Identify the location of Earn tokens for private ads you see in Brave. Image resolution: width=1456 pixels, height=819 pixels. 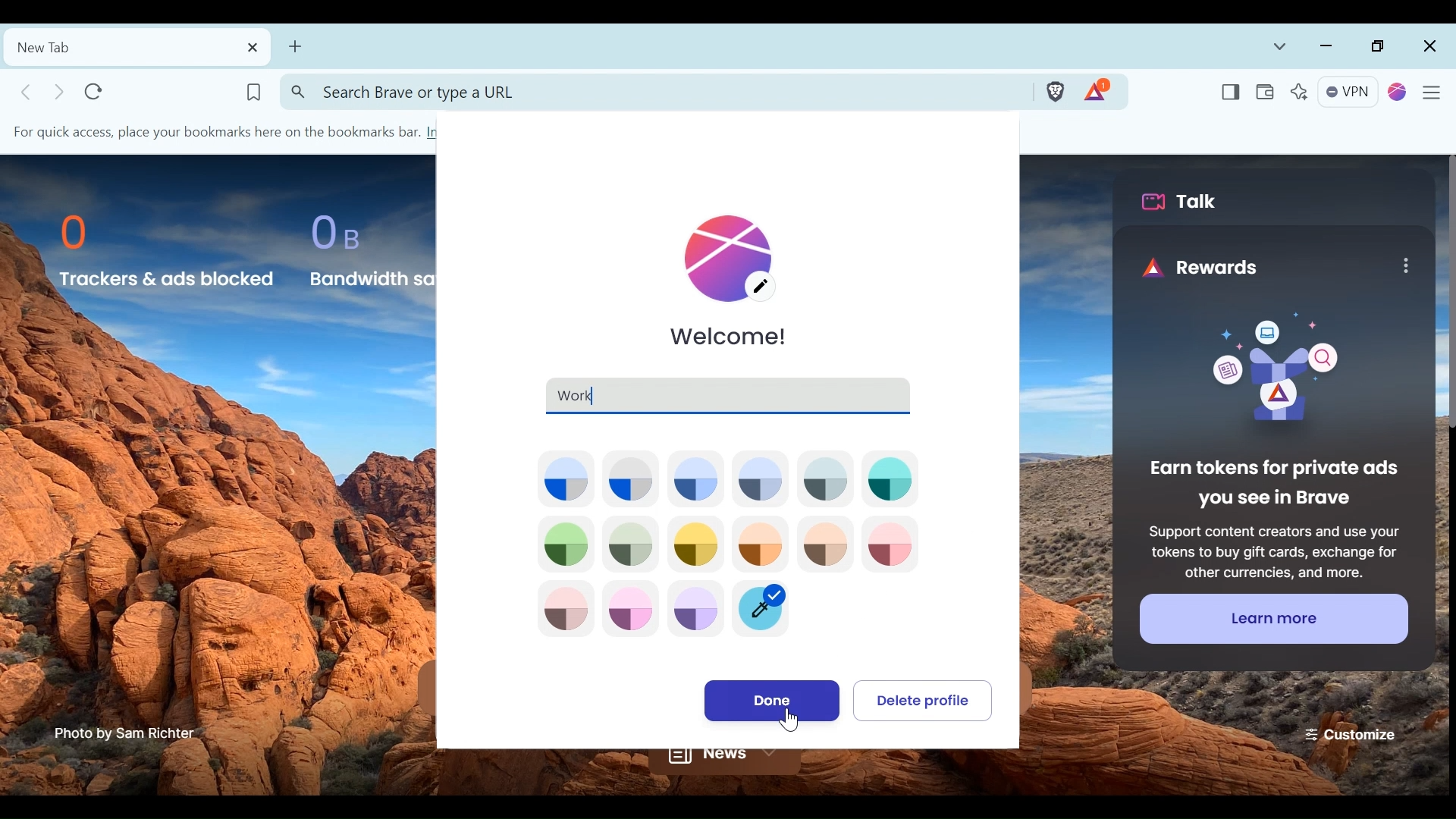
(1269, 481).